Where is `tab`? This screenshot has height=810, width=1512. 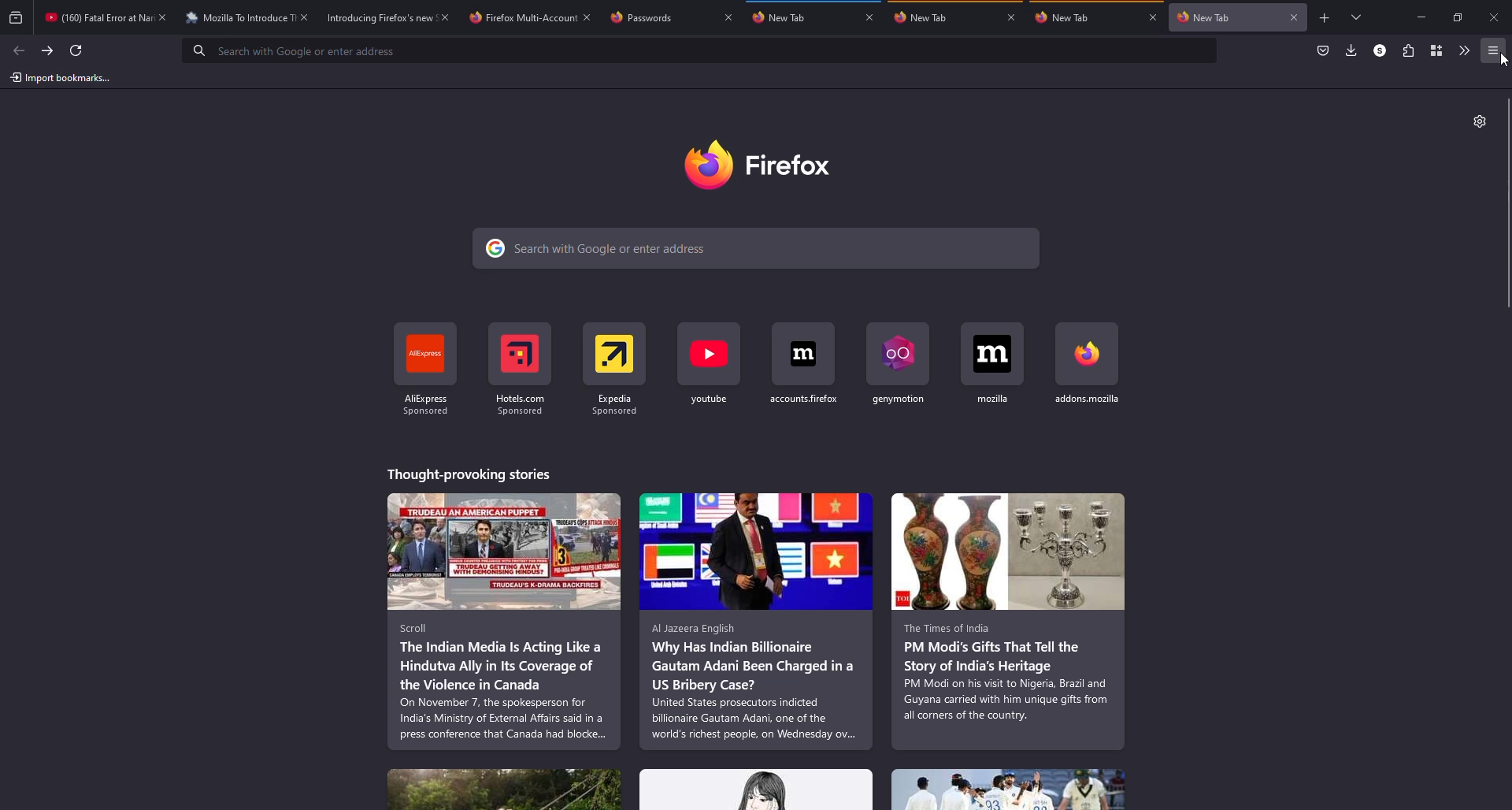 tab is located at coordinates (521, 18).